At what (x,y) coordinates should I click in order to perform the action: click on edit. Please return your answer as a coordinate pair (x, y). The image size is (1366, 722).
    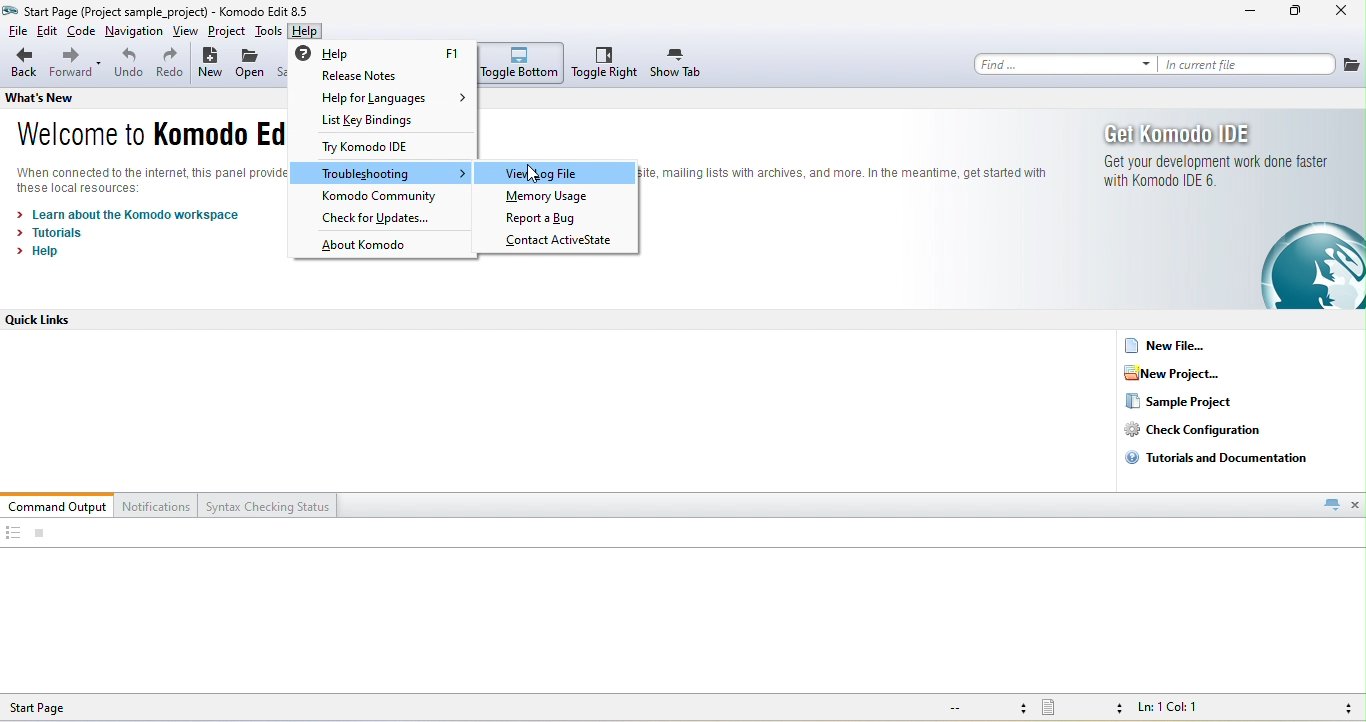
    Looking at the image, I should click on (48, 32).